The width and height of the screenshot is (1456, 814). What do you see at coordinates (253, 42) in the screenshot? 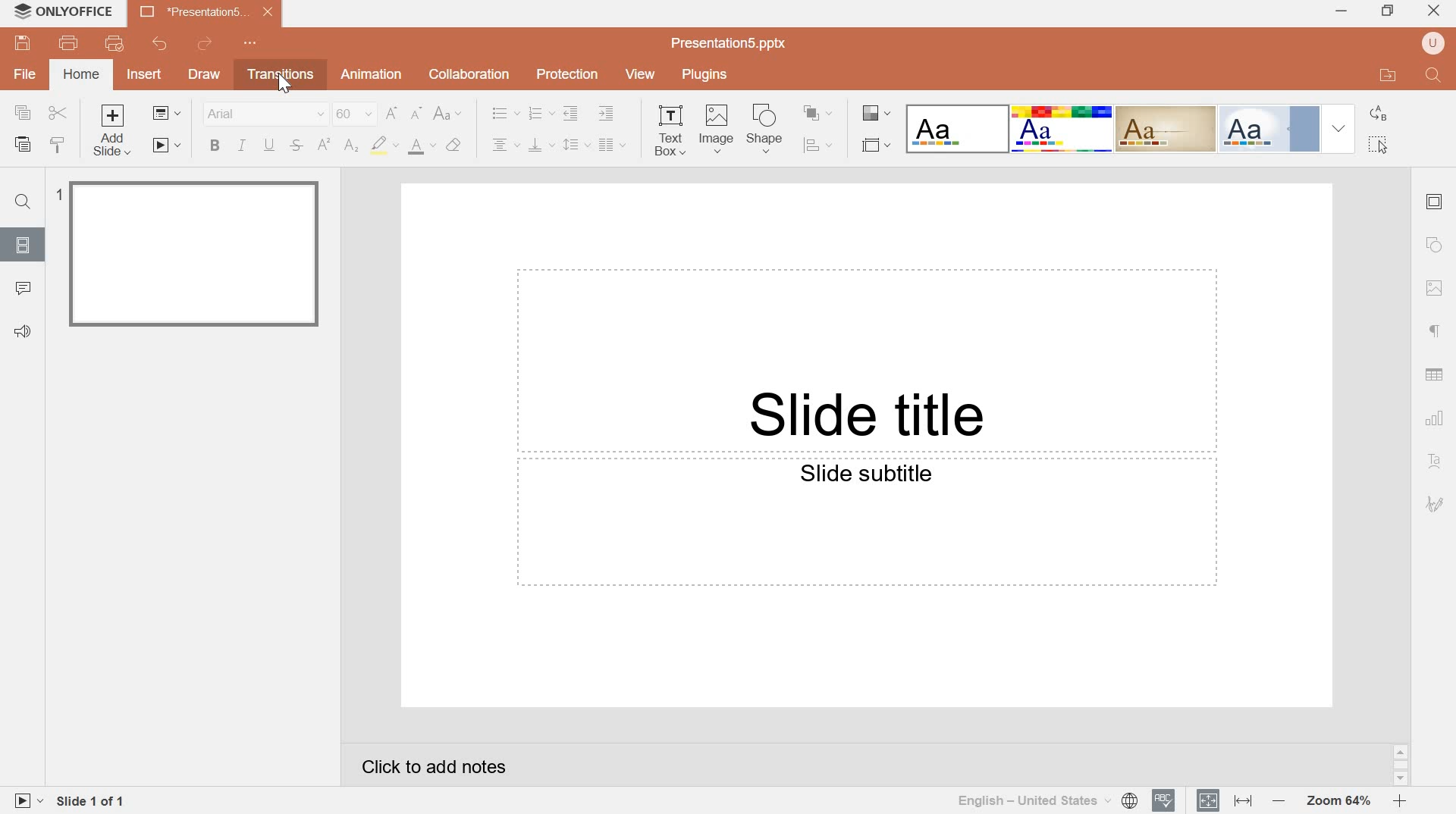
I see `customize quick access toolbar` at bounding box center [253, 42].